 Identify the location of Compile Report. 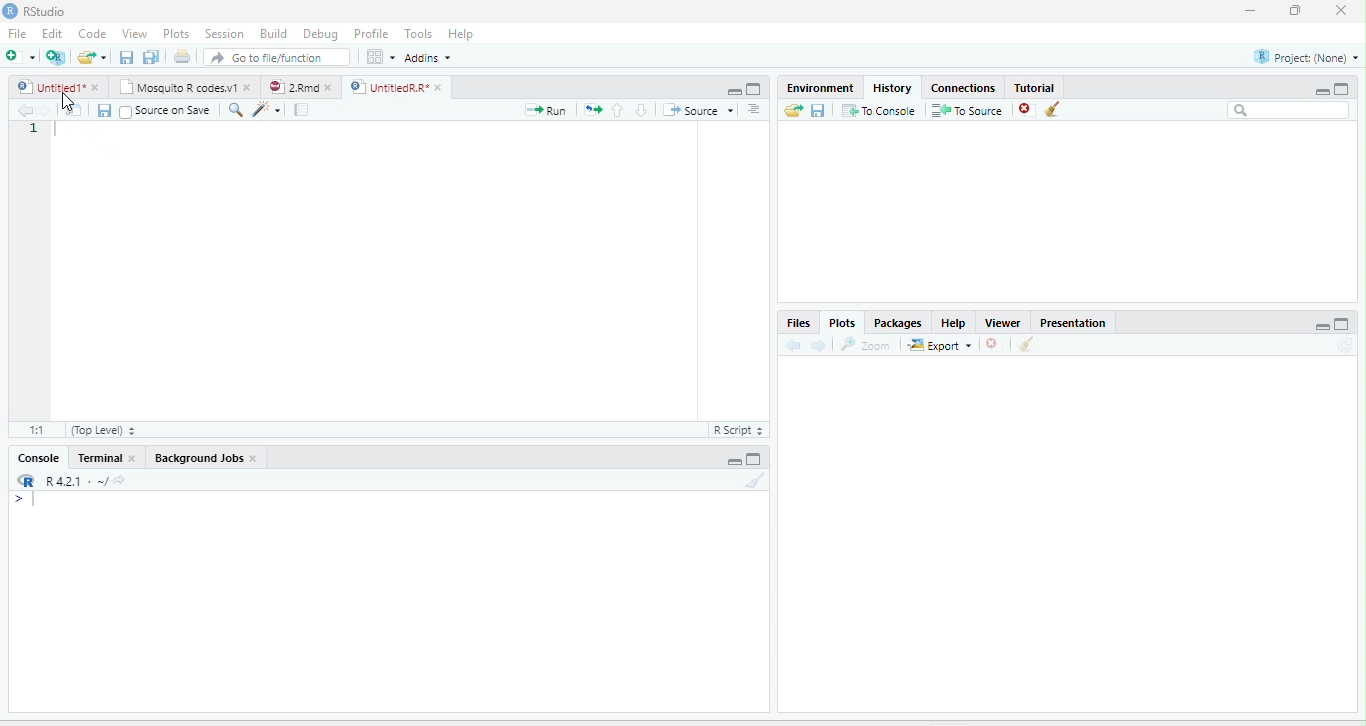
(302, 110).